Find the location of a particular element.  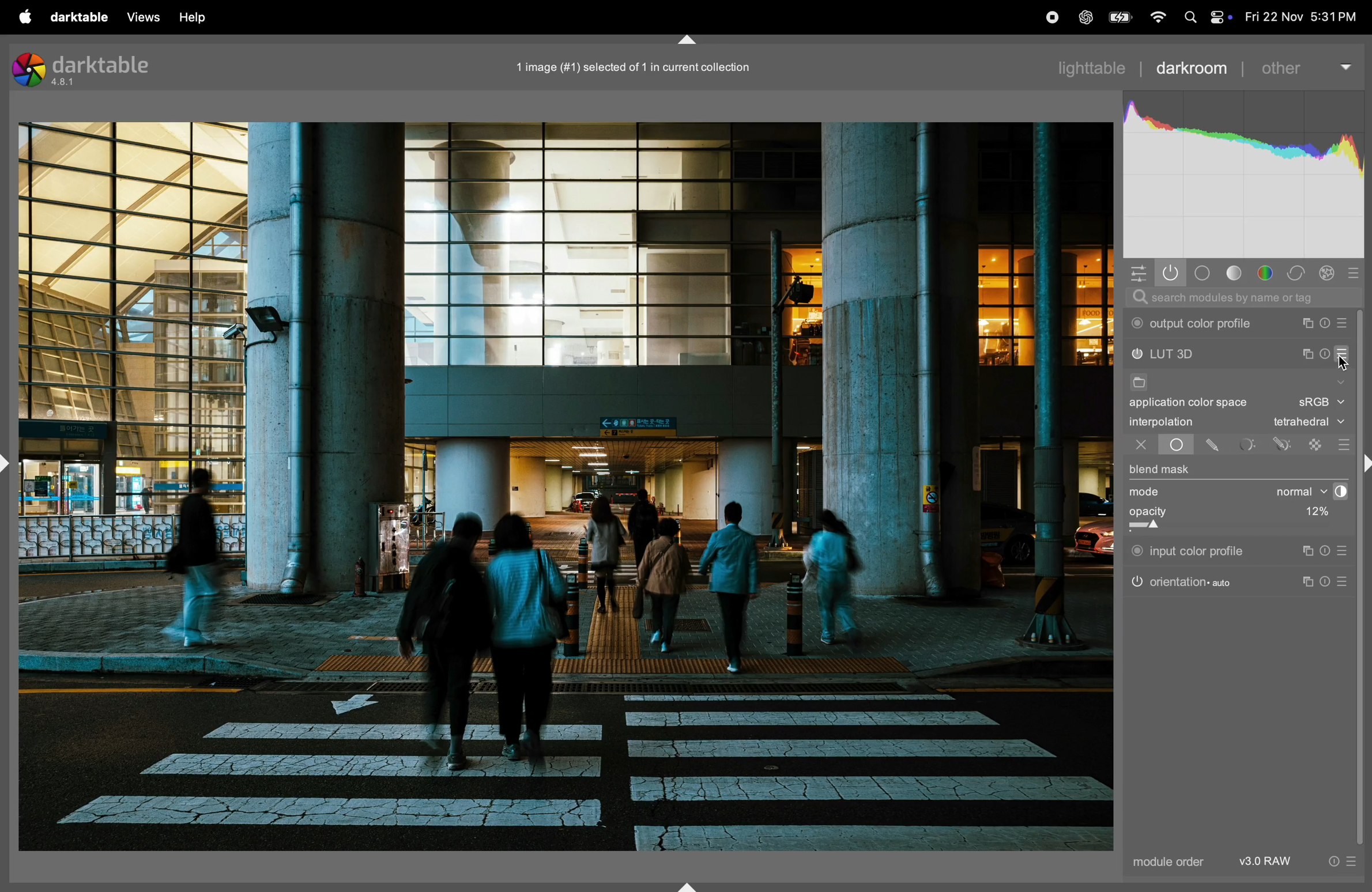

opacity is located at coordinates (1203, 516).